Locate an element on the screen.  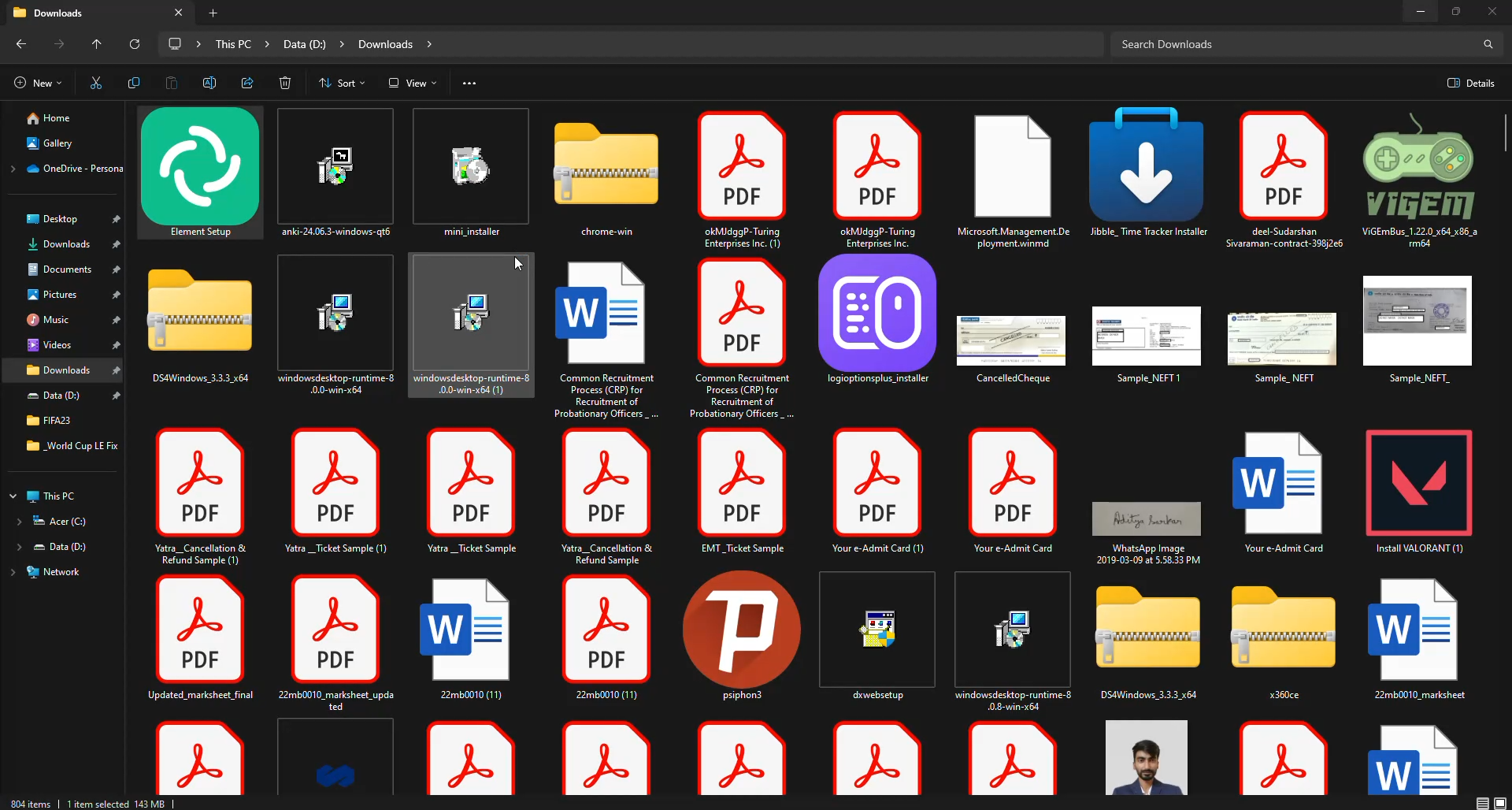
cursor is located at coordinates (521, 266).